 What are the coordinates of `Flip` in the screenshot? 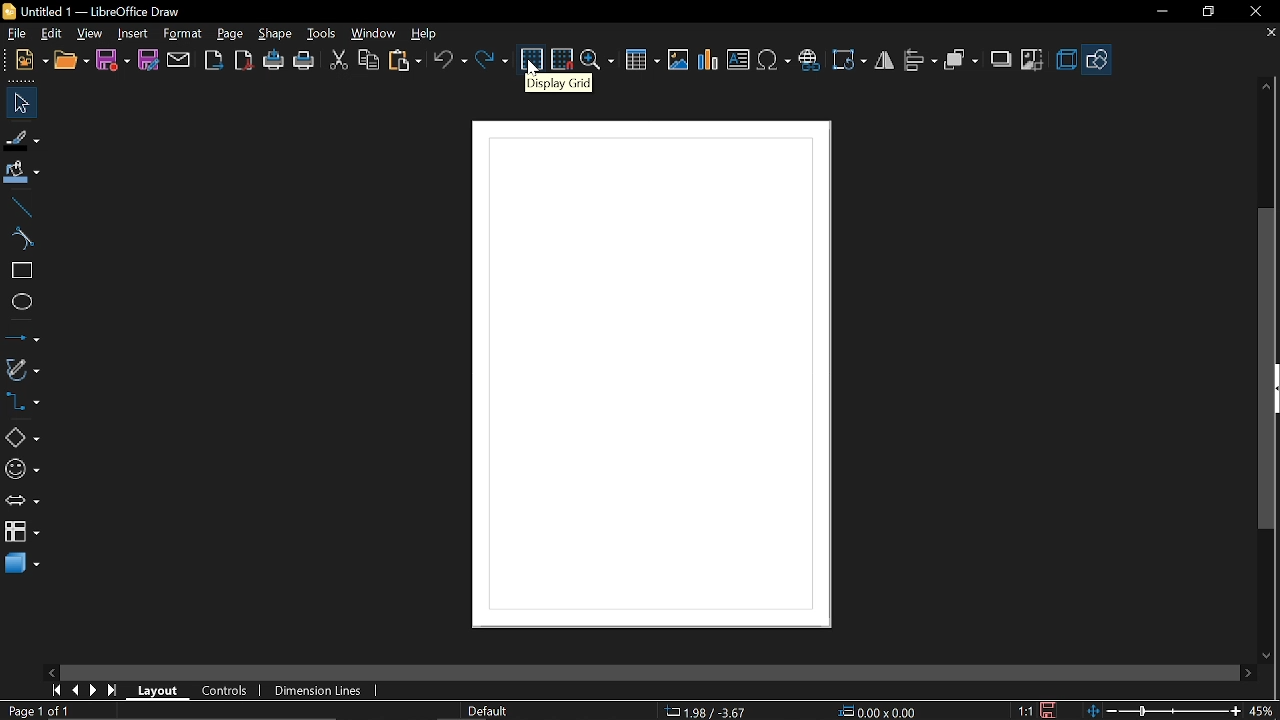 It's located at (885, 59).